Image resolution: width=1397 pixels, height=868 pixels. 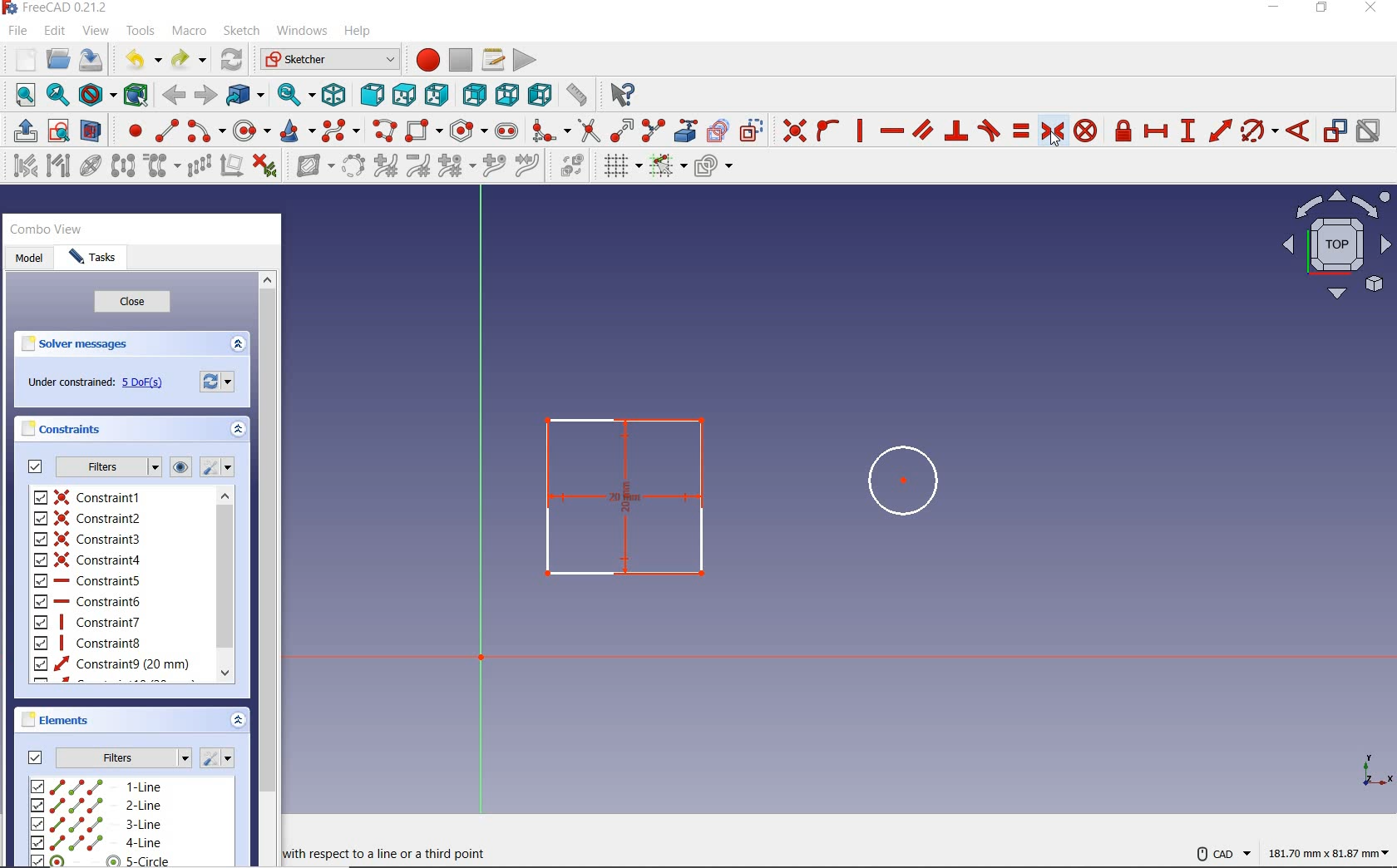 I want to click on view, so click(x=96, y=31).